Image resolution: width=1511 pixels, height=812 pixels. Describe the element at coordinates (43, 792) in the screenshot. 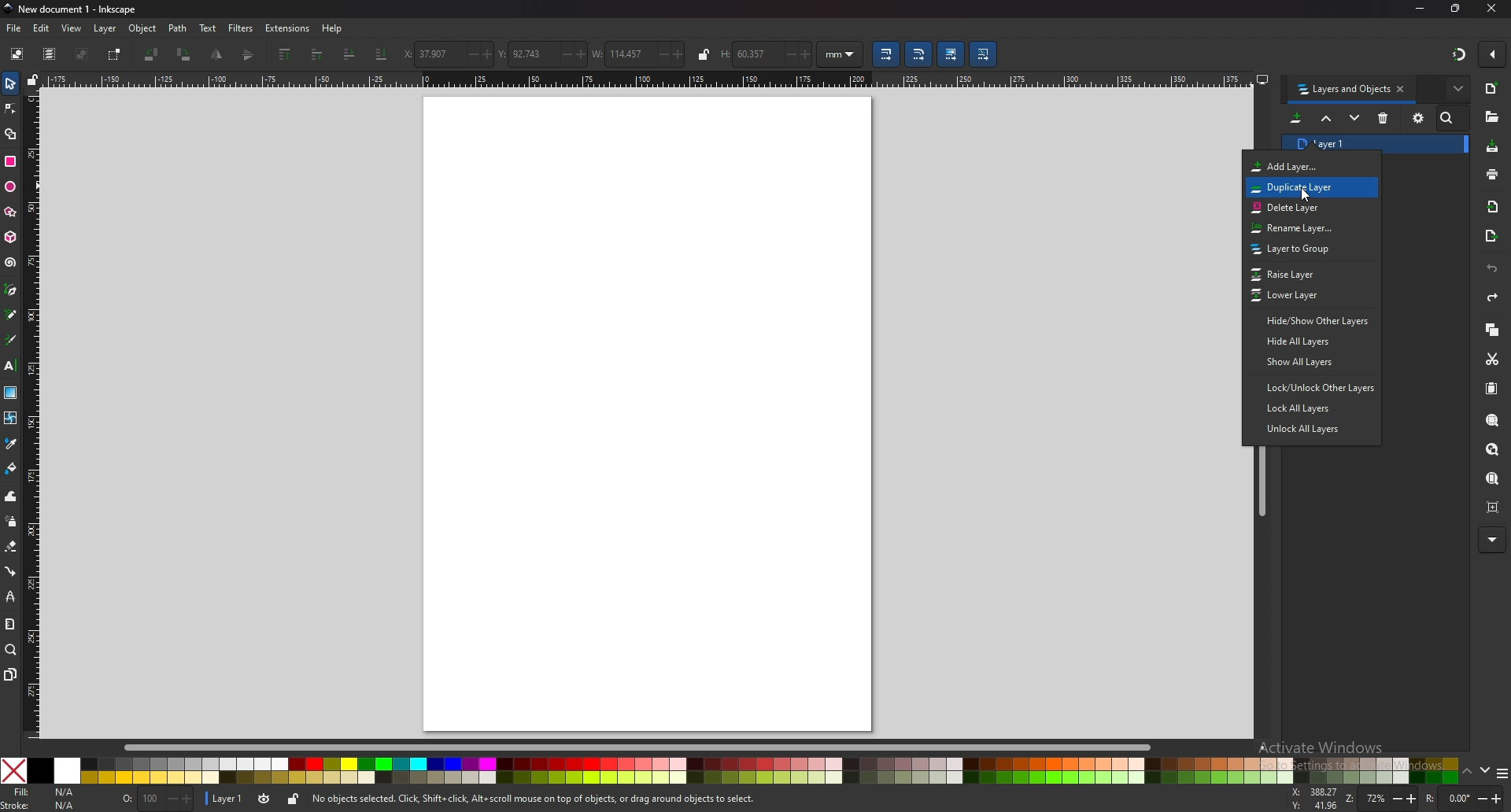

I see `fill` at that location.